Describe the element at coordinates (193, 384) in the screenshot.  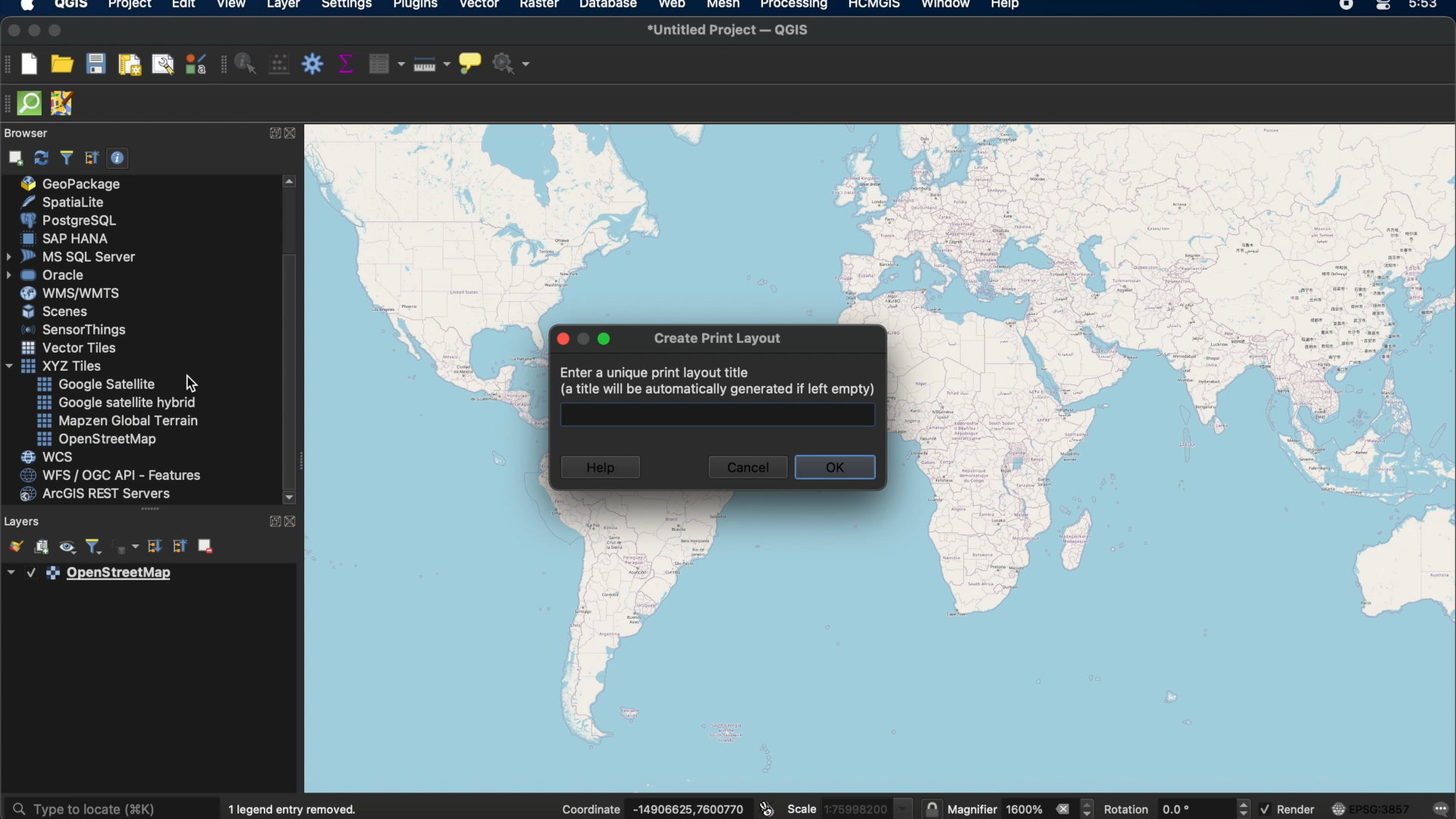
I see `cursor` at that location.